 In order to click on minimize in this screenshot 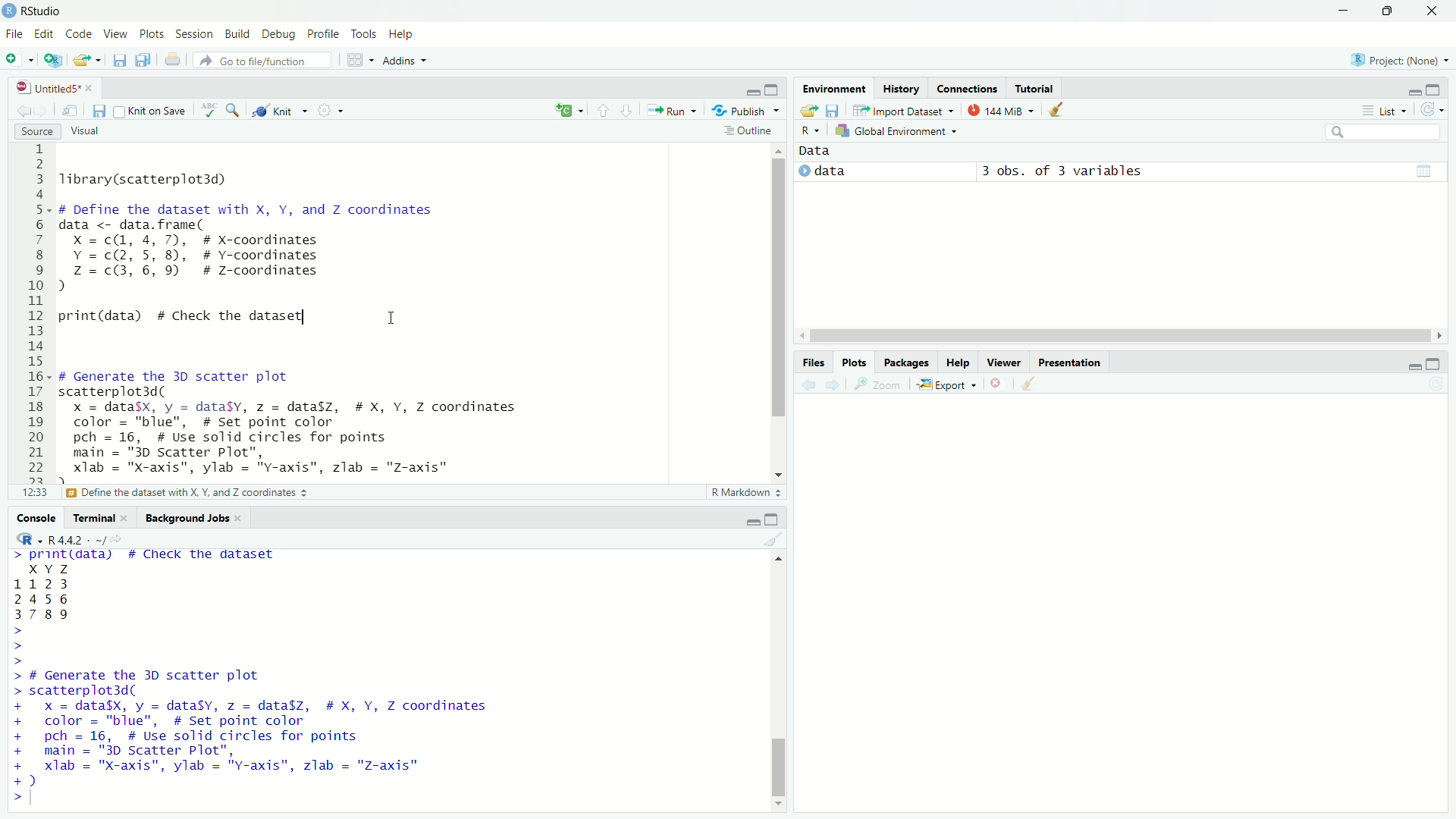, I will do `click(1405, 89)`.